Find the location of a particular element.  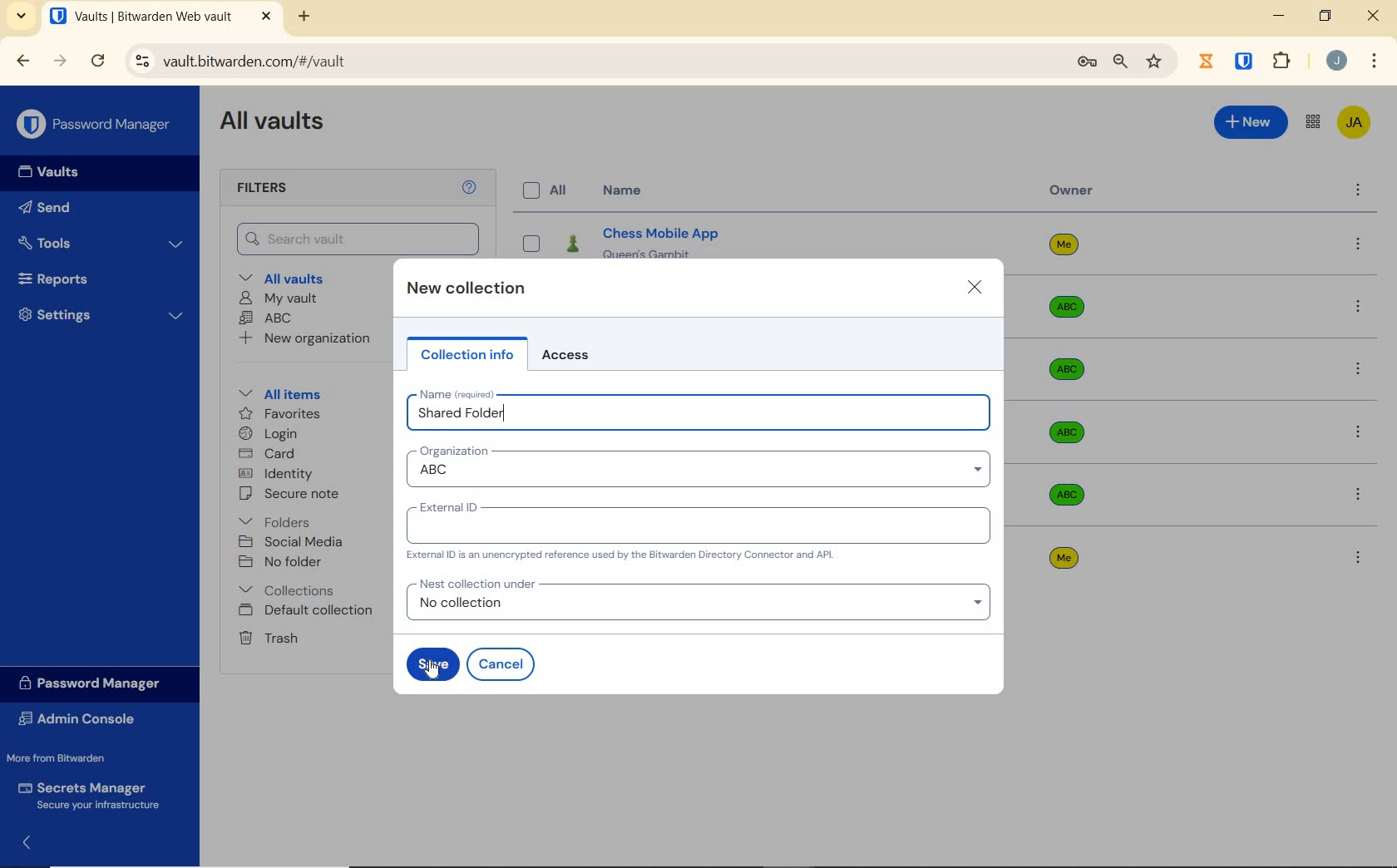

cancel is located at coordinates (501, 664).